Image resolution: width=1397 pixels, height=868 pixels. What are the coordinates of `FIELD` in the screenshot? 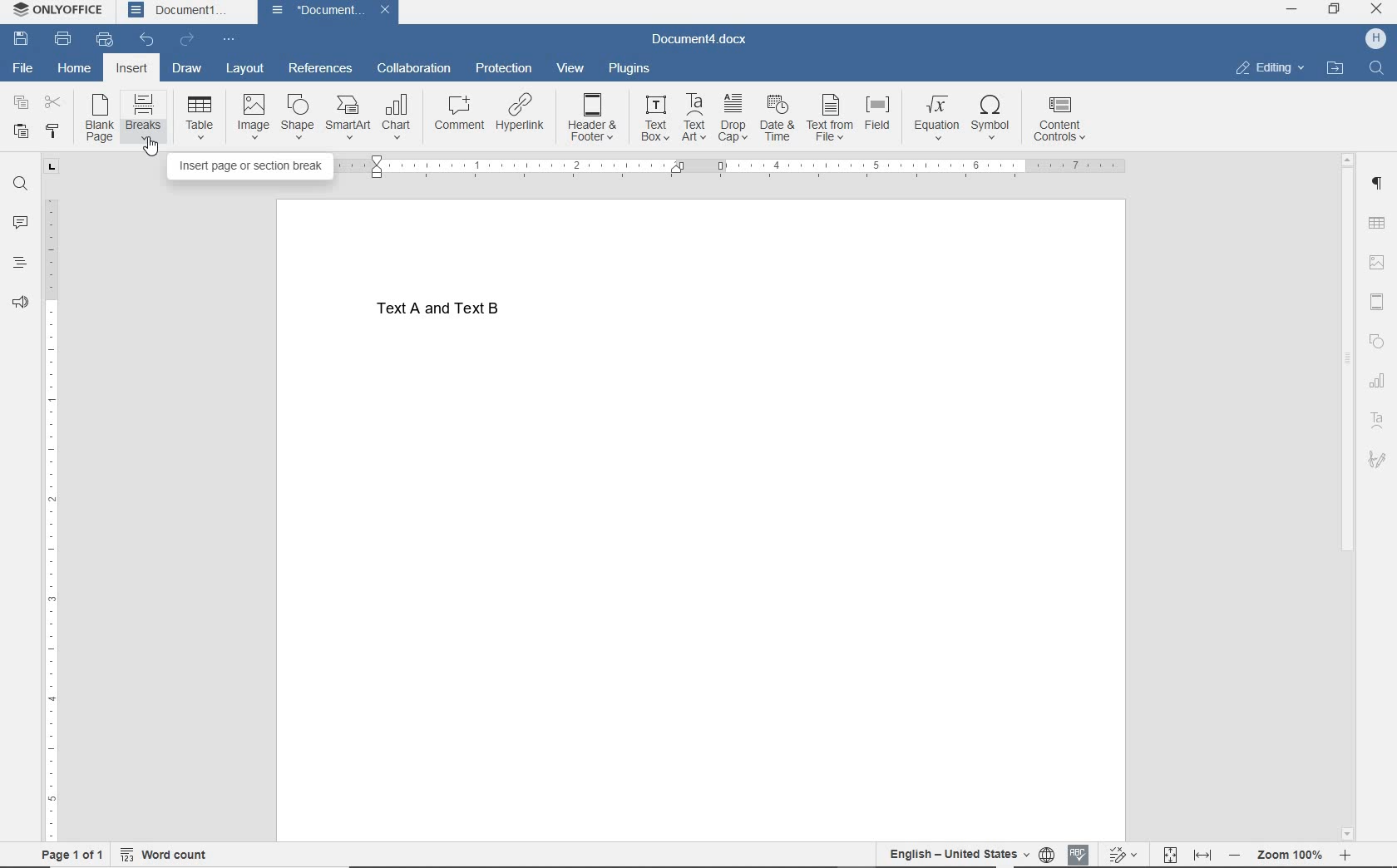 It's located at (879, 123).